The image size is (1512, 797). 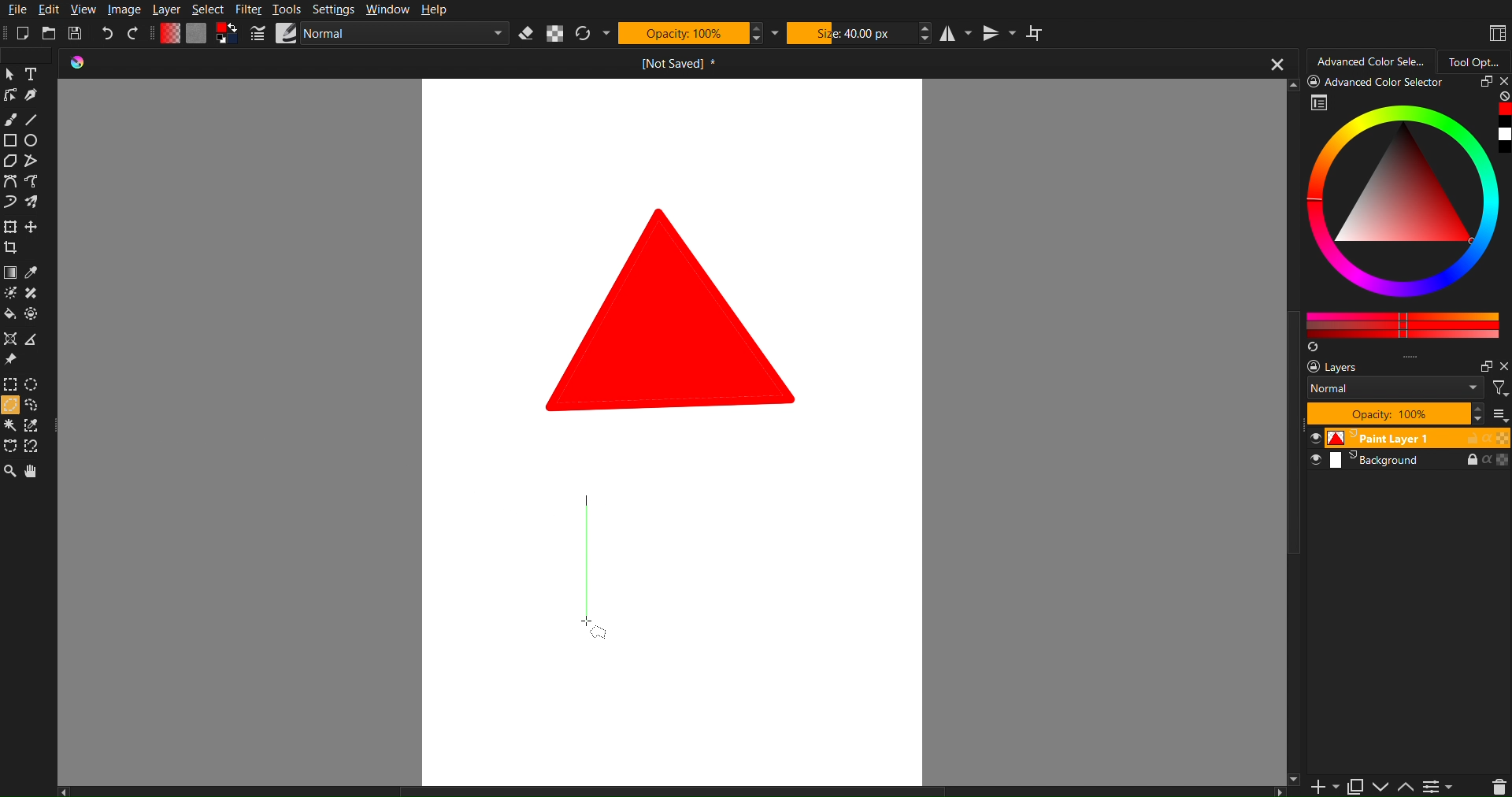 I want to click on Pen, so click(x=32, y=97).